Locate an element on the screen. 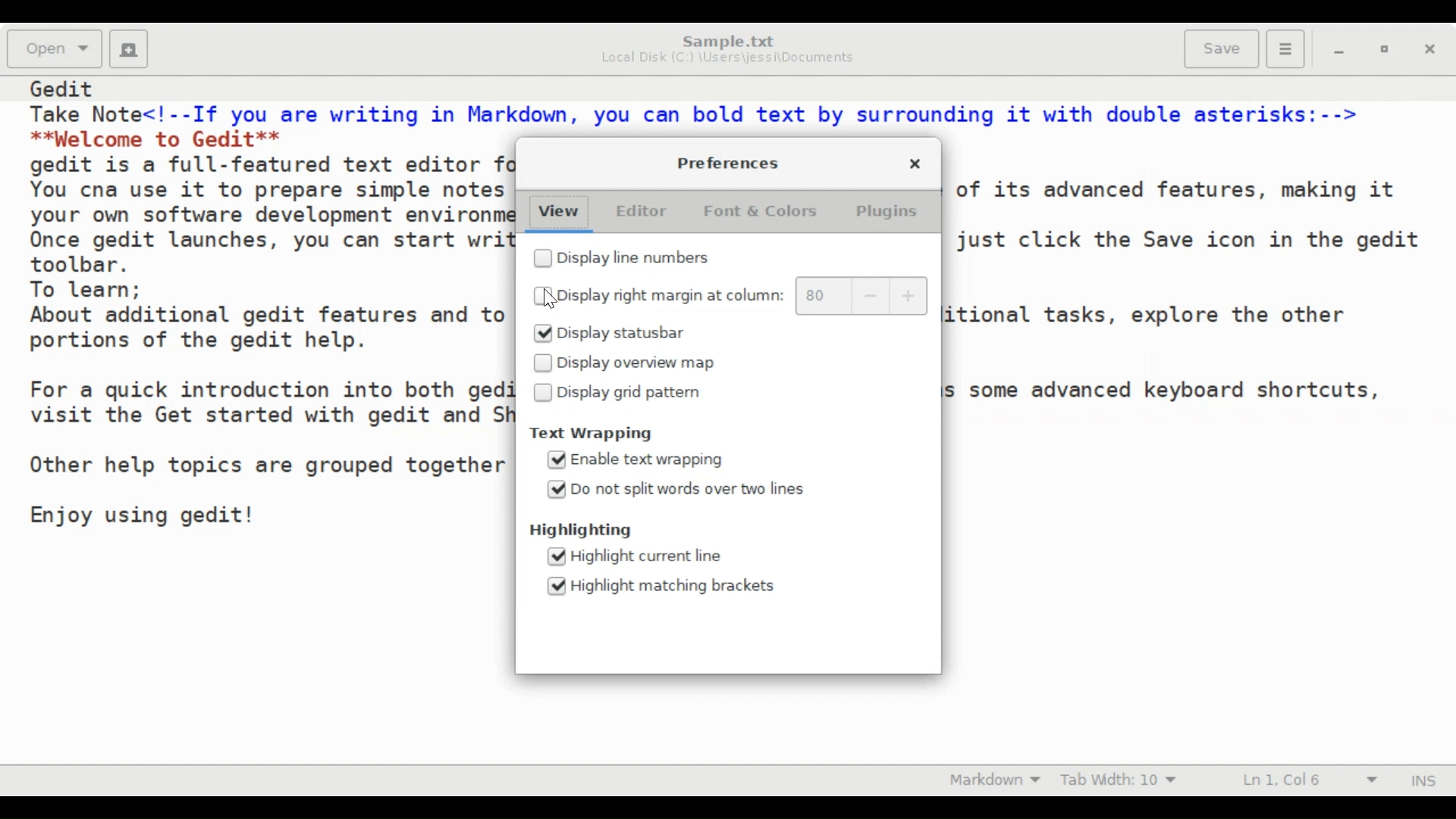  (un)select Display statusbar is located at coordinates (610, 334).